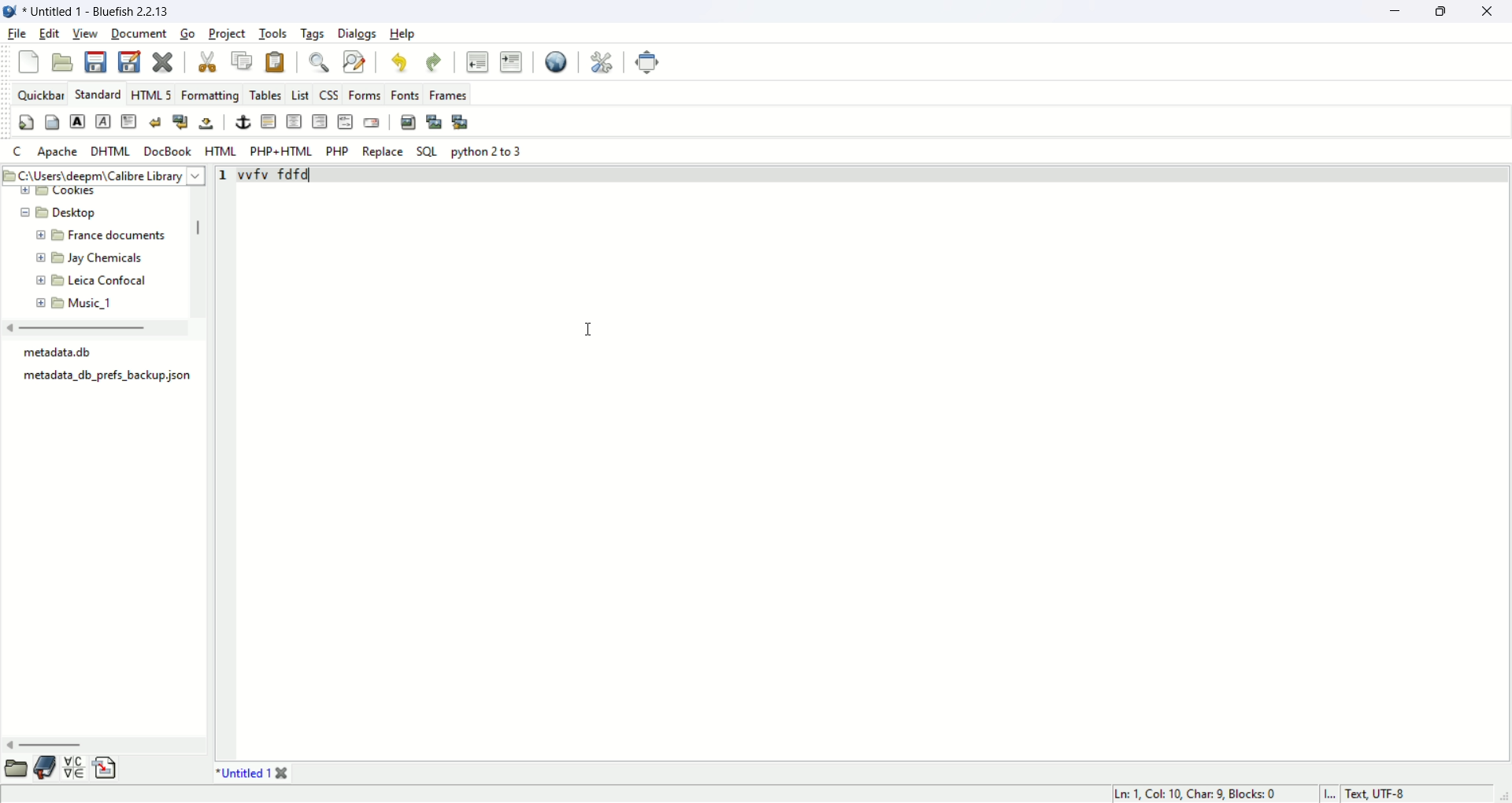 The height and width of the screenshot is (803, 1512). What do you see at coordinates (301, 91) in the screenshot?
I see `list` at bounding box center [301, 91].